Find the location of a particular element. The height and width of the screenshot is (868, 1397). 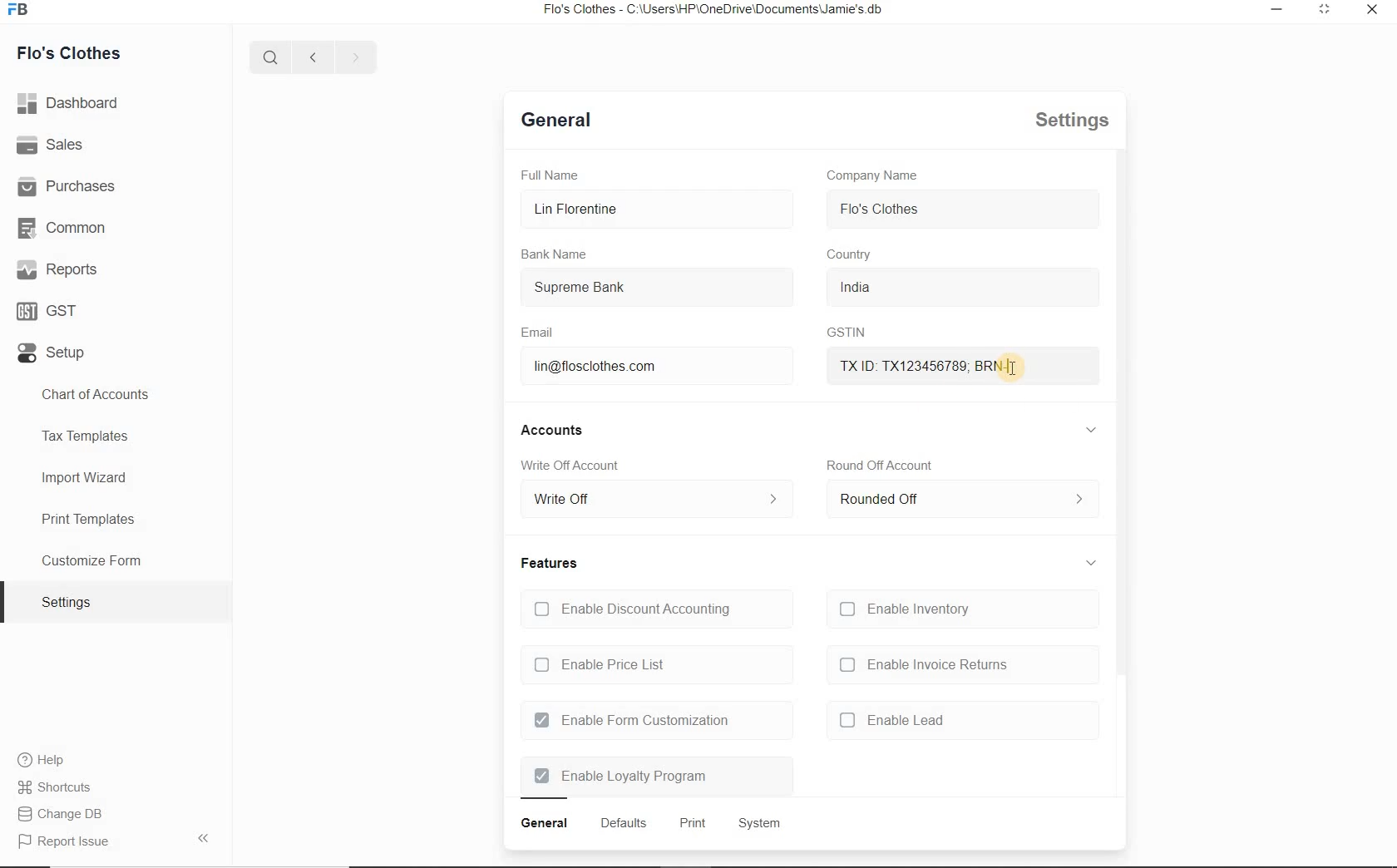

system is located at coordinates (758, 822).